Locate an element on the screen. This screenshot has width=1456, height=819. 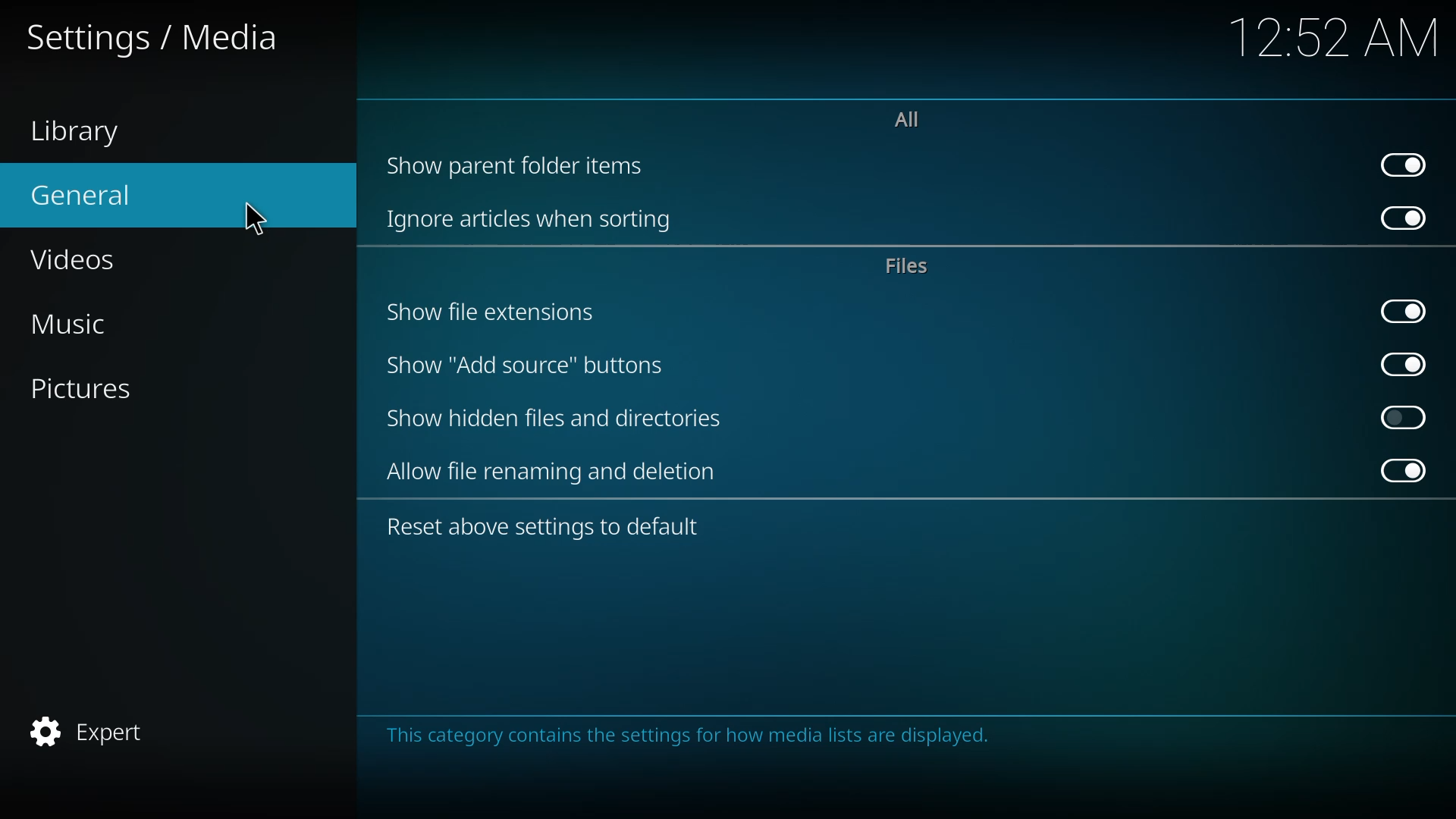
show parent folder items is located at coordinates (519, 166).